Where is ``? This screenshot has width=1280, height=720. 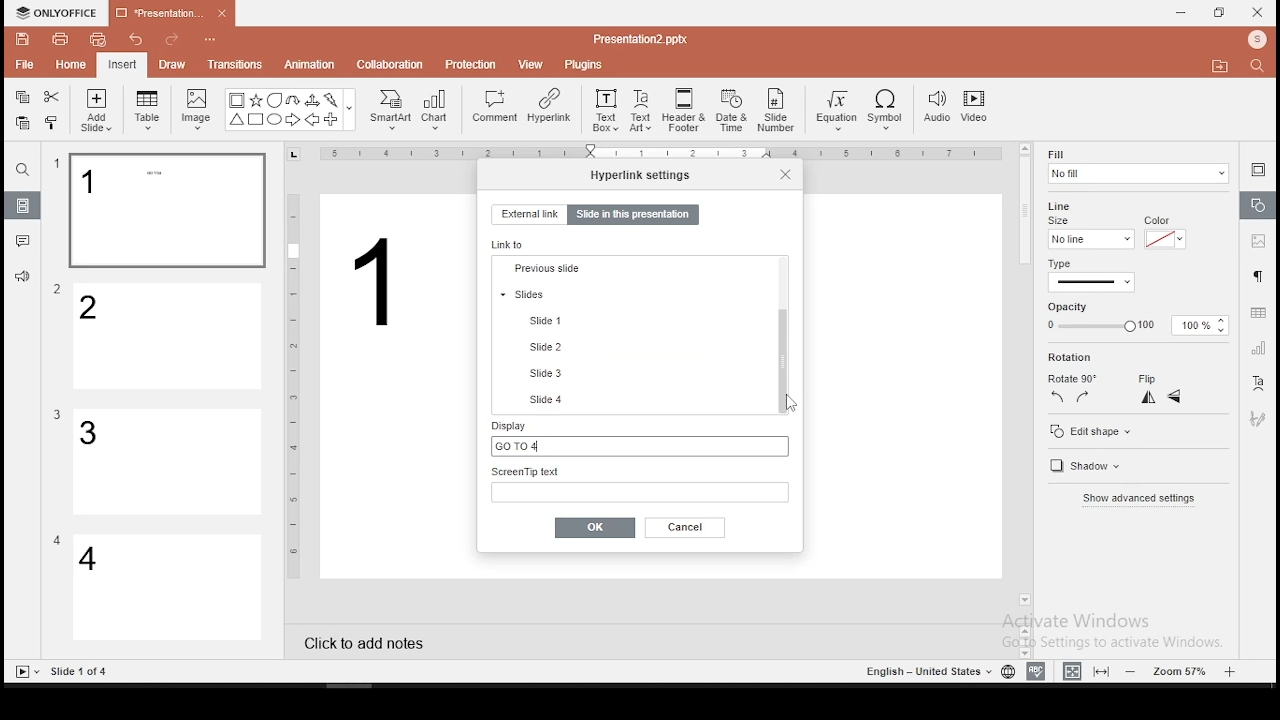  is located at coordinates (379, 281).